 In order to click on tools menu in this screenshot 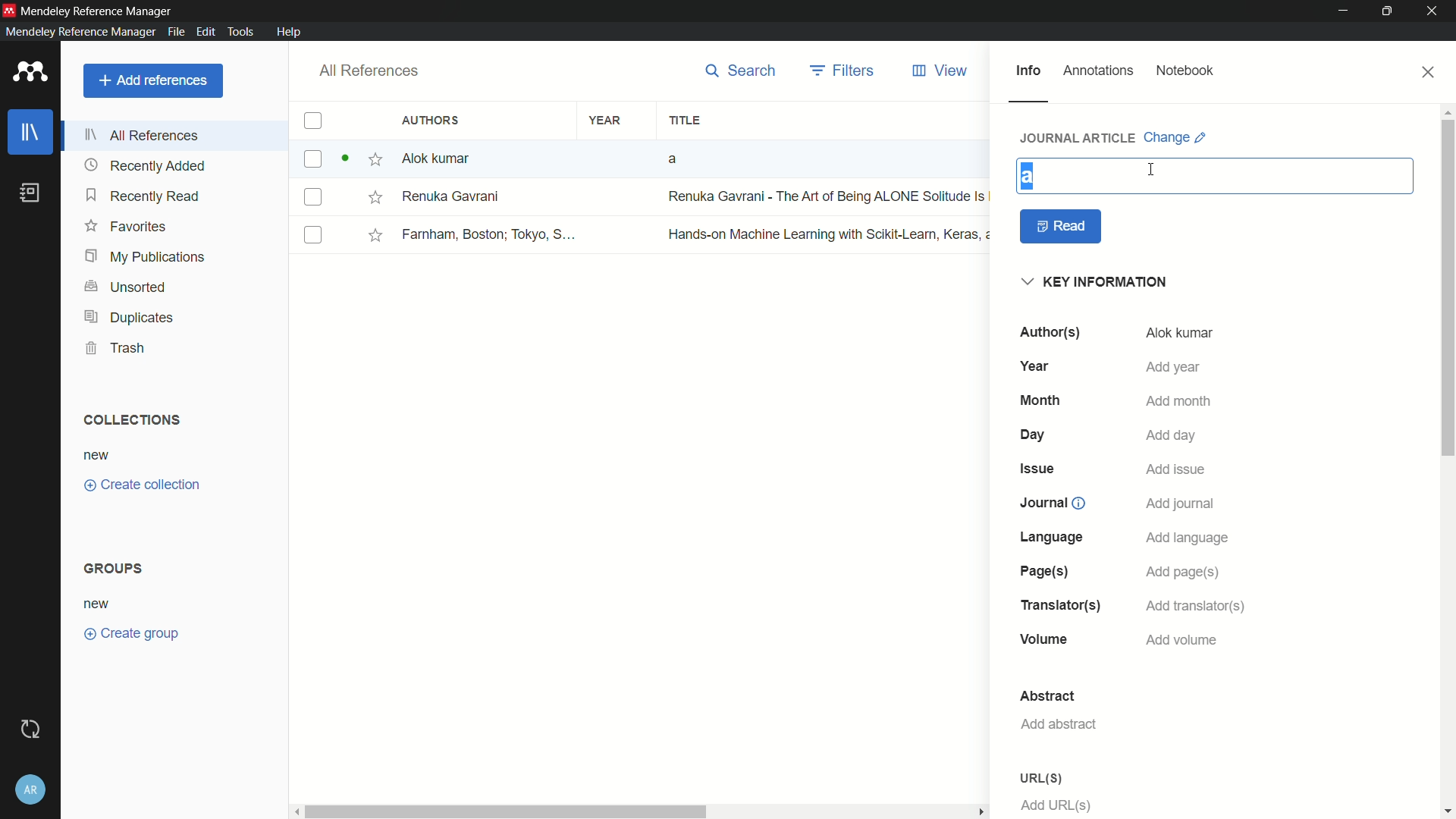, I will do `click(238, 31)`.